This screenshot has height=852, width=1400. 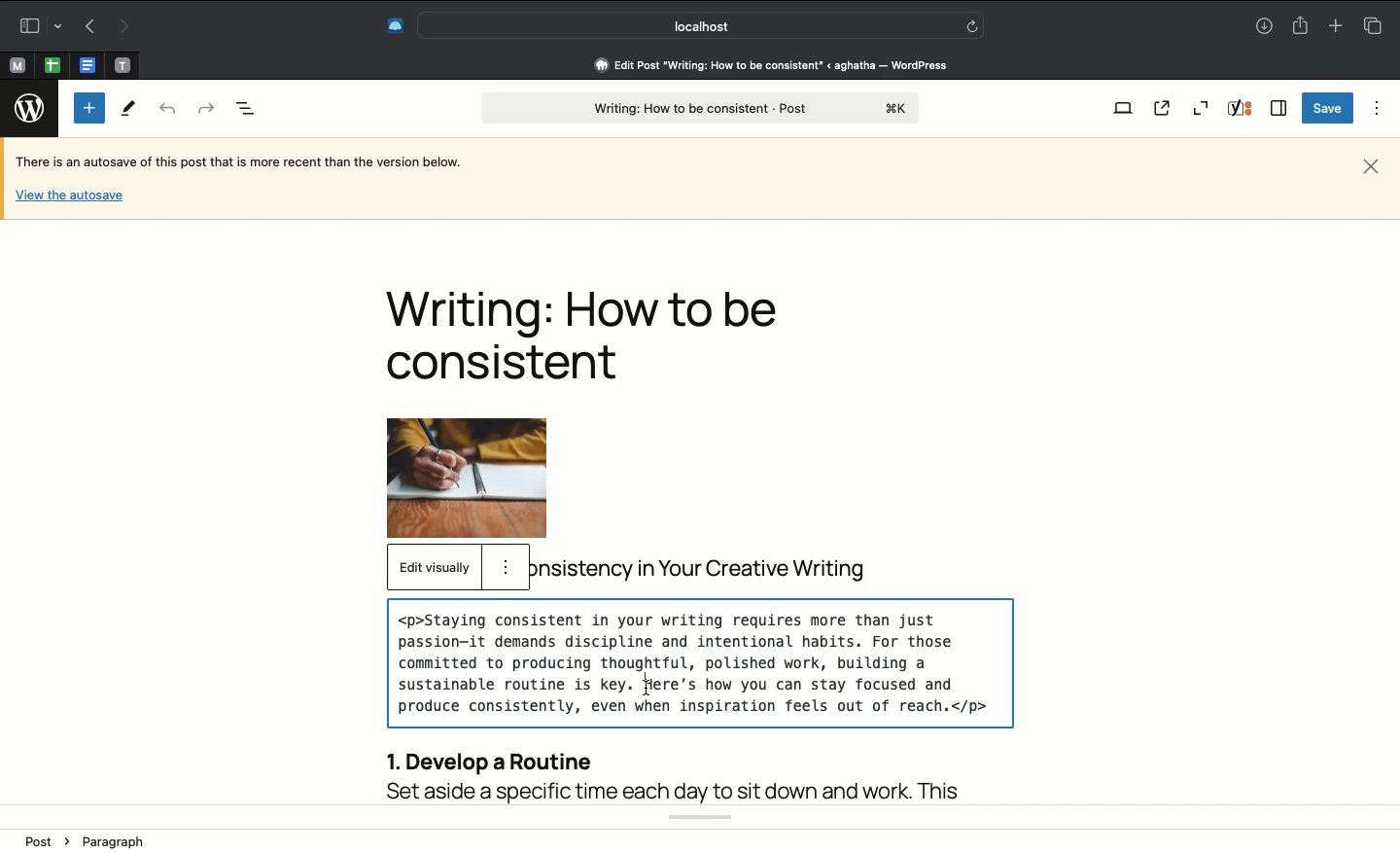 What do you see at coordinates (1279, 108) in the screenshot?
I see `Sidebar` at bounding box center [1279, 108].